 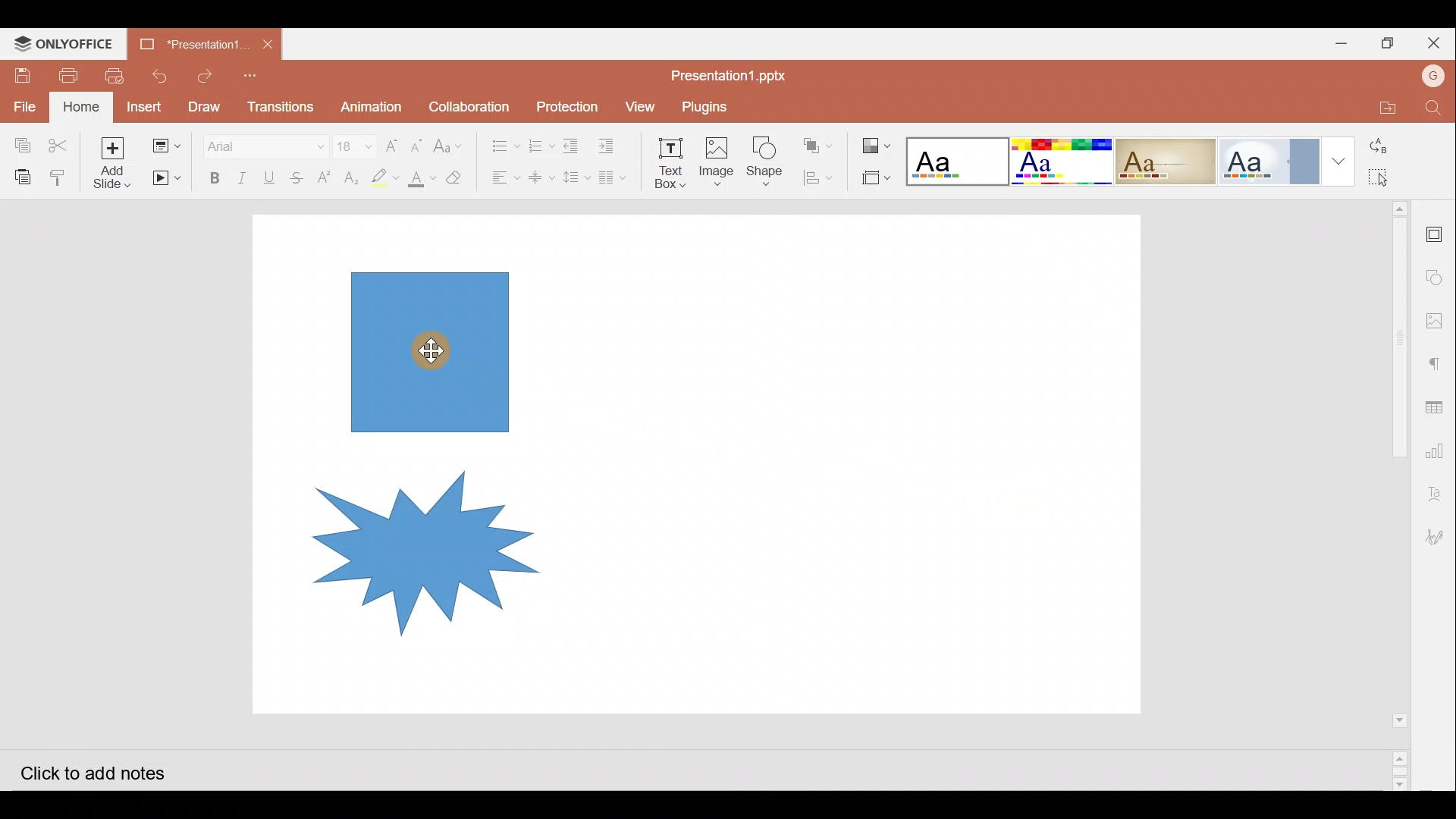 What do you see at coordinates (1439, 406) in the screenshot?
I see `Table settings` at bounding box center [1439, 406].